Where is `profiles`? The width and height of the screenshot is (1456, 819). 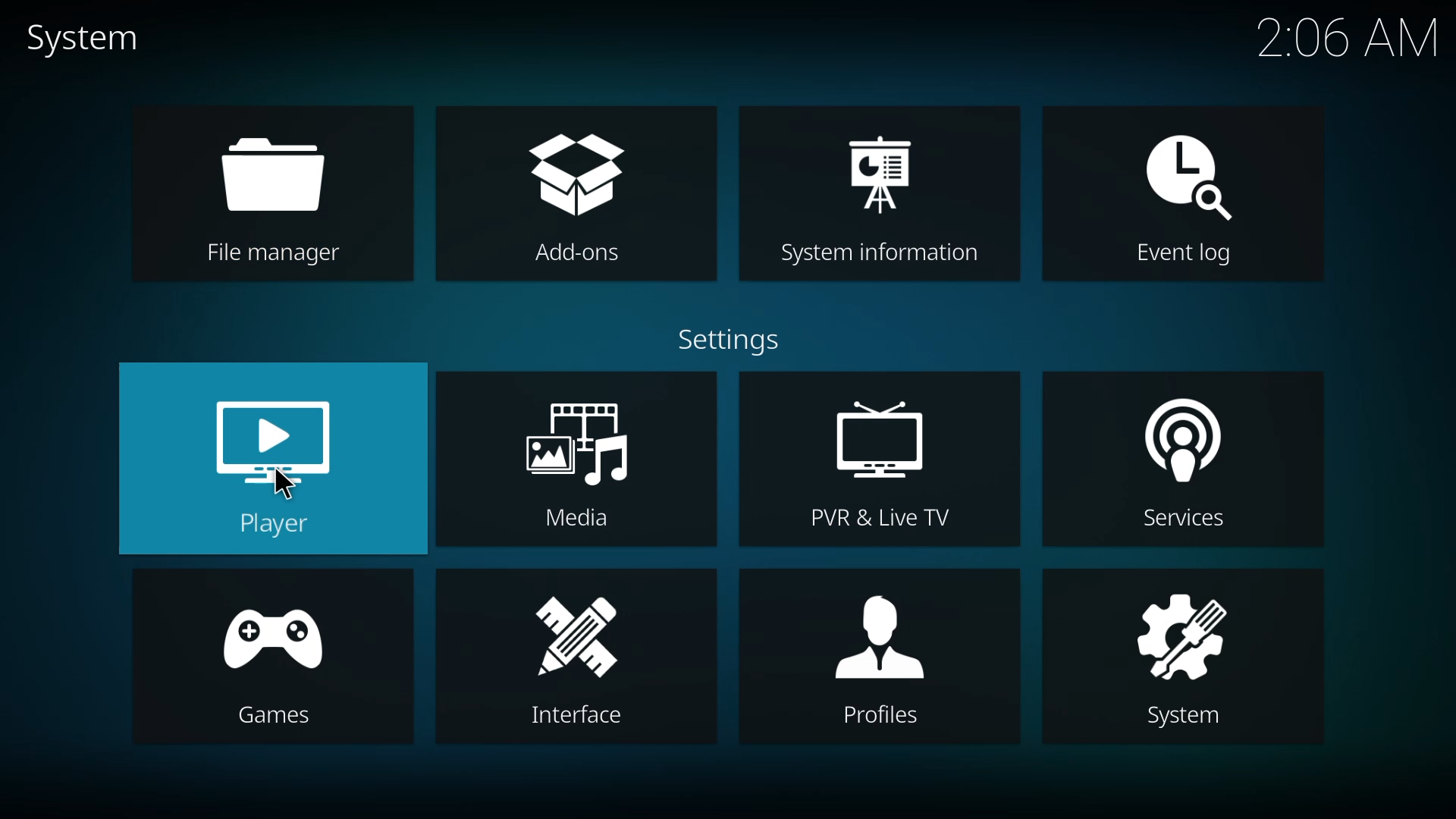 profiles is located at coordinates (880, 657).